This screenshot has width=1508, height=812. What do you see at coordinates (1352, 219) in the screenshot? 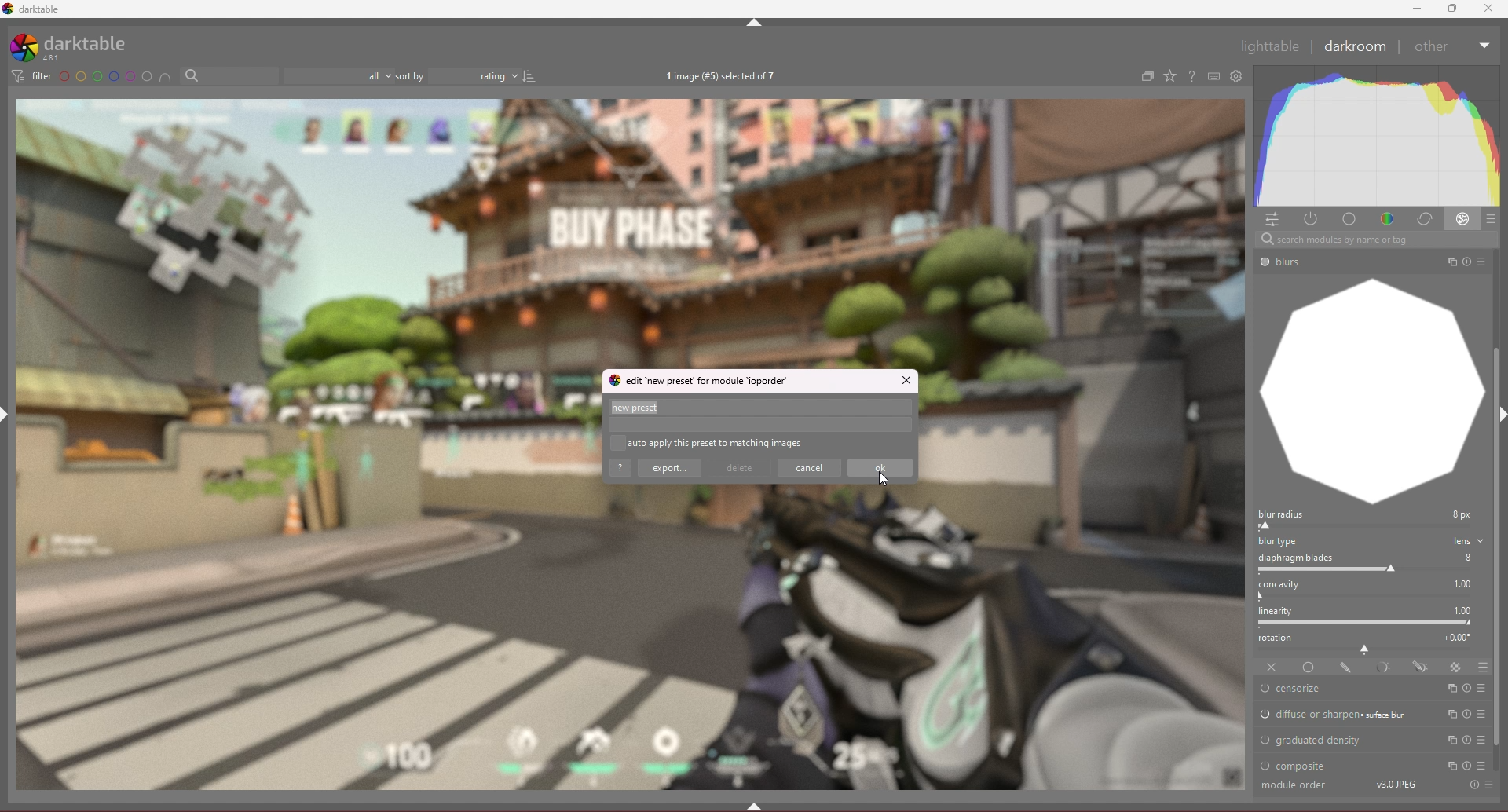
I see `base` at bounding box center [1352, 219].